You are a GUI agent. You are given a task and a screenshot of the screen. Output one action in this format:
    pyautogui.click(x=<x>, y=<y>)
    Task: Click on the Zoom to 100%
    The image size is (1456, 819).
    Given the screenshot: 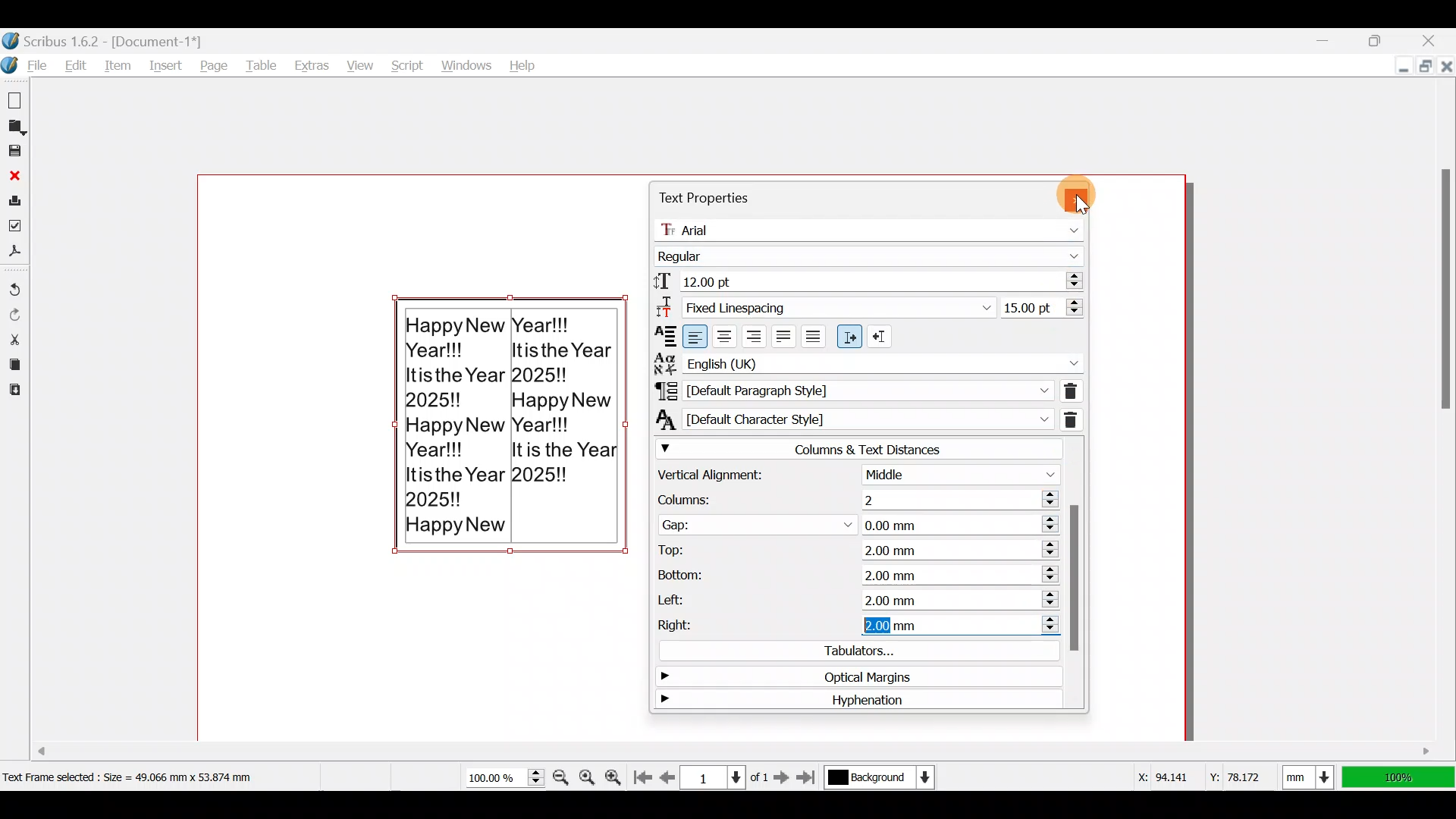 What is the action you would take?
    pyautogui.click(x=590, y=779)
    